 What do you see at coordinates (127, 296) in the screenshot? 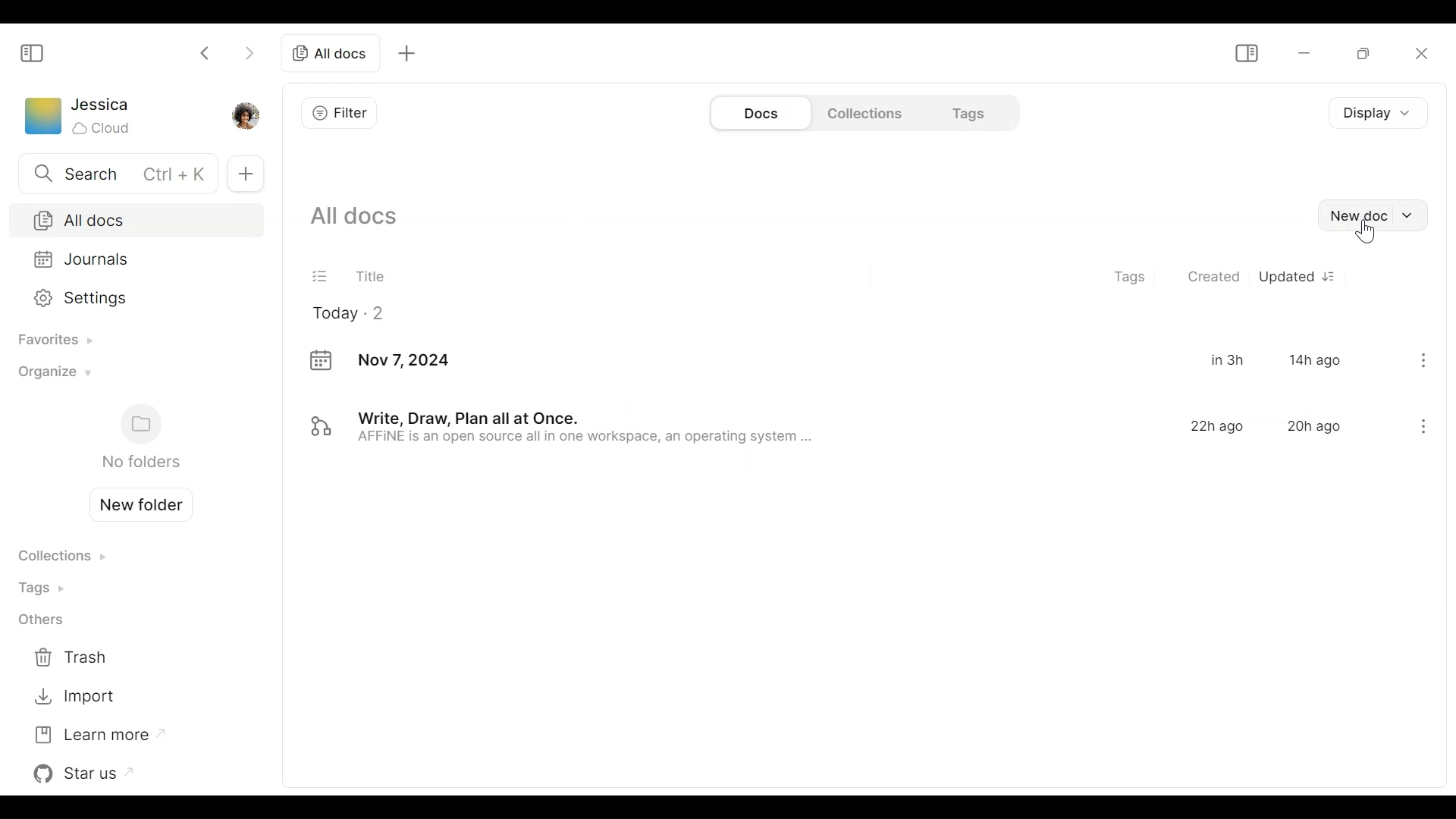
I see `Settings` at bounding box center [127, 296].